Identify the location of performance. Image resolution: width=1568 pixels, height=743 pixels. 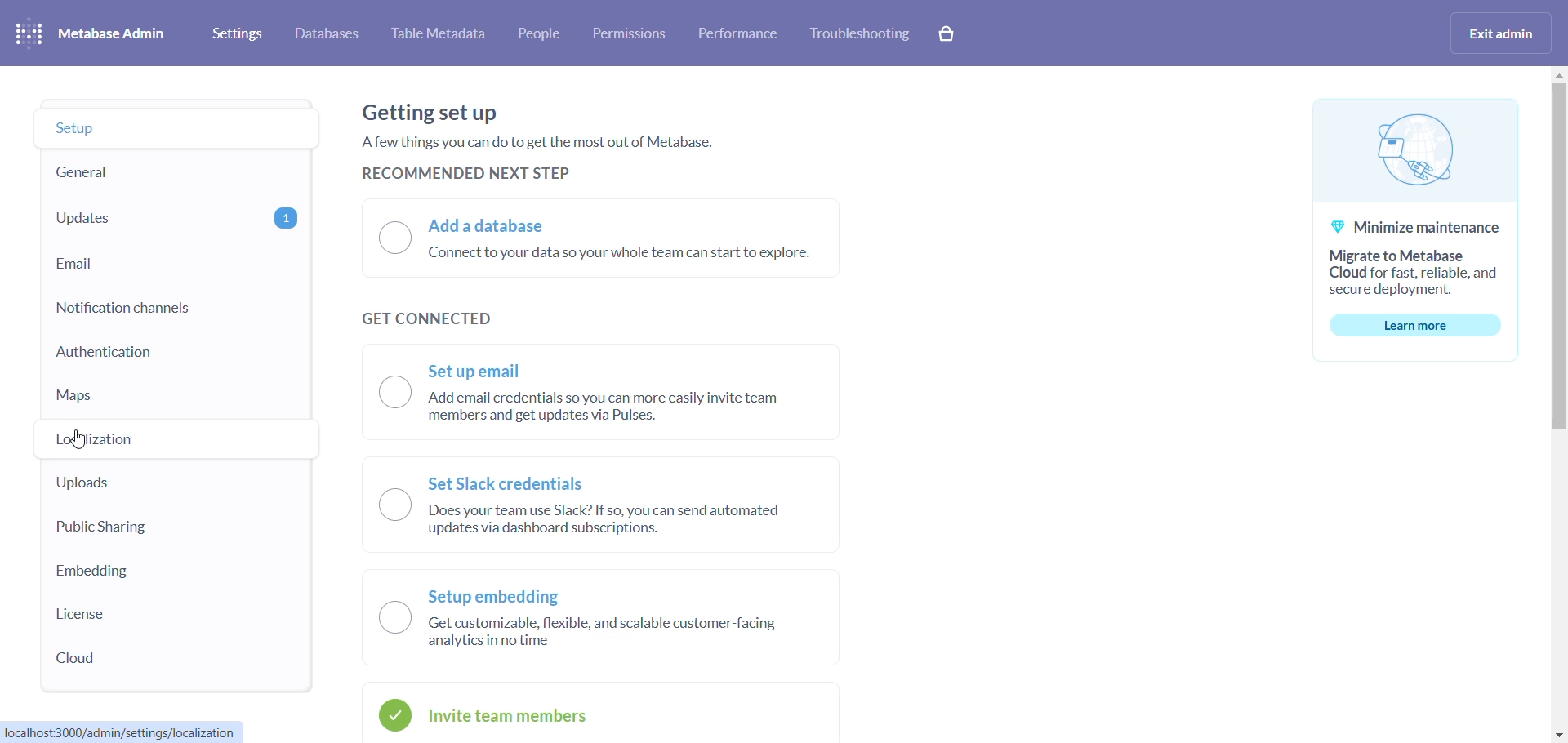
(741, 34).